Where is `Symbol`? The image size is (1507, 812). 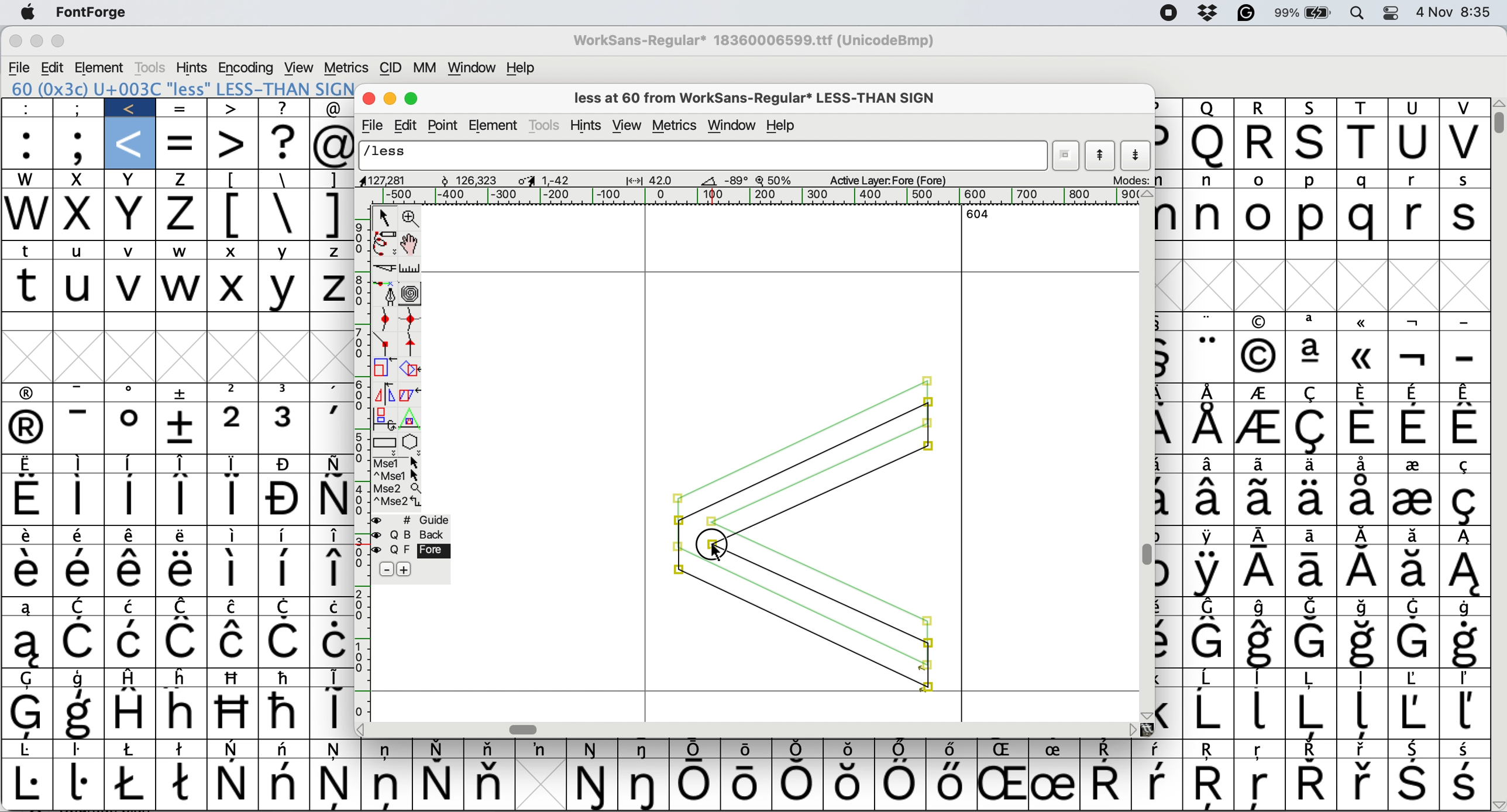
Symbol is located at coordinates (850, 748).